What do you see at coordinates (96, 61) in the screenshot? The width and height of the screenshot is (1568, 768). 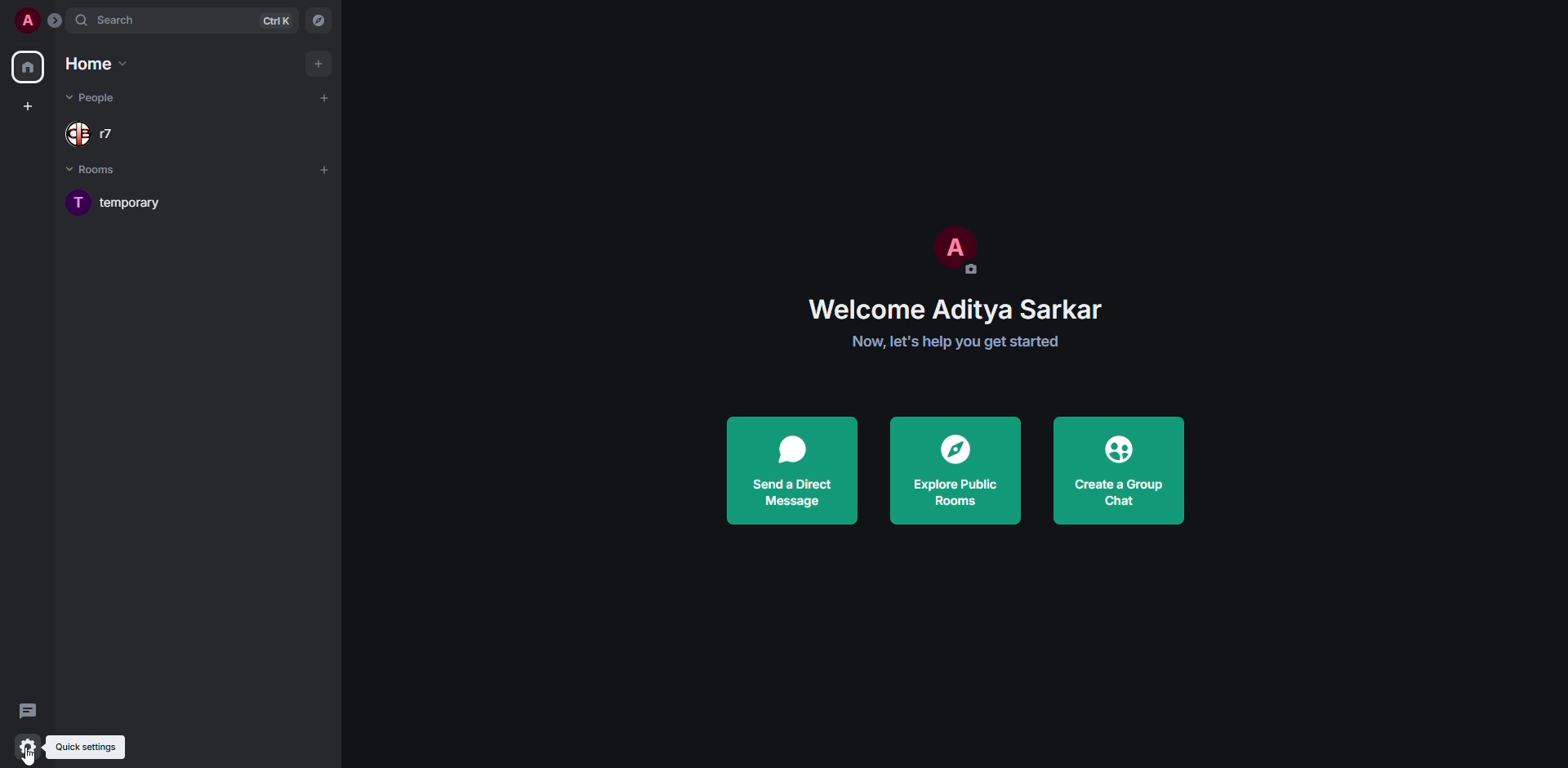 I see `home` at bounding box center [96, 61].